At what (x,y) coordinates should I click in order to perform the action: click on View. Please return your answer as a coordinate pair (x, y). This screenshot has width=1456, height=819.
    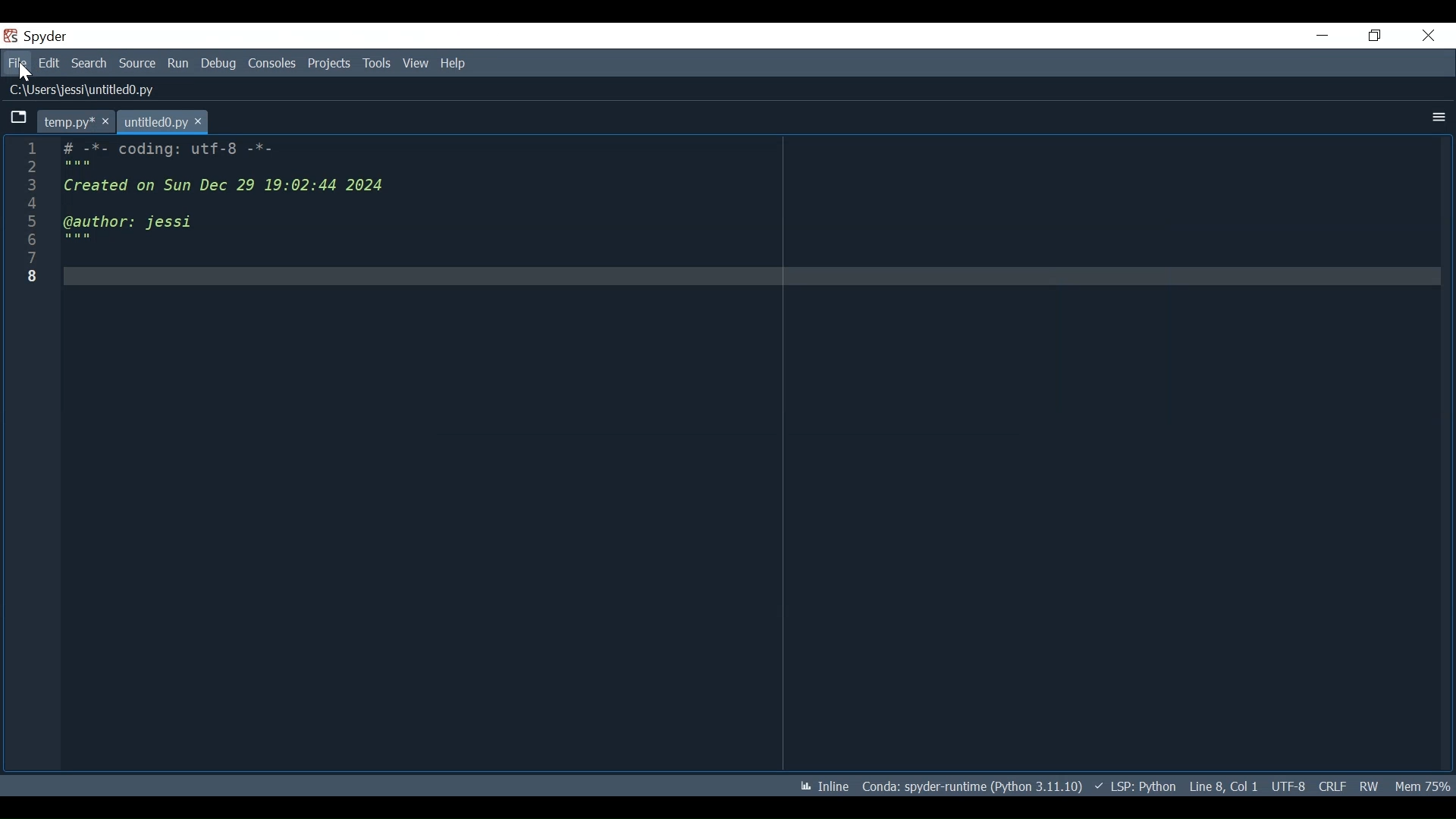
    Looking at the image, I should click on (416, 64).